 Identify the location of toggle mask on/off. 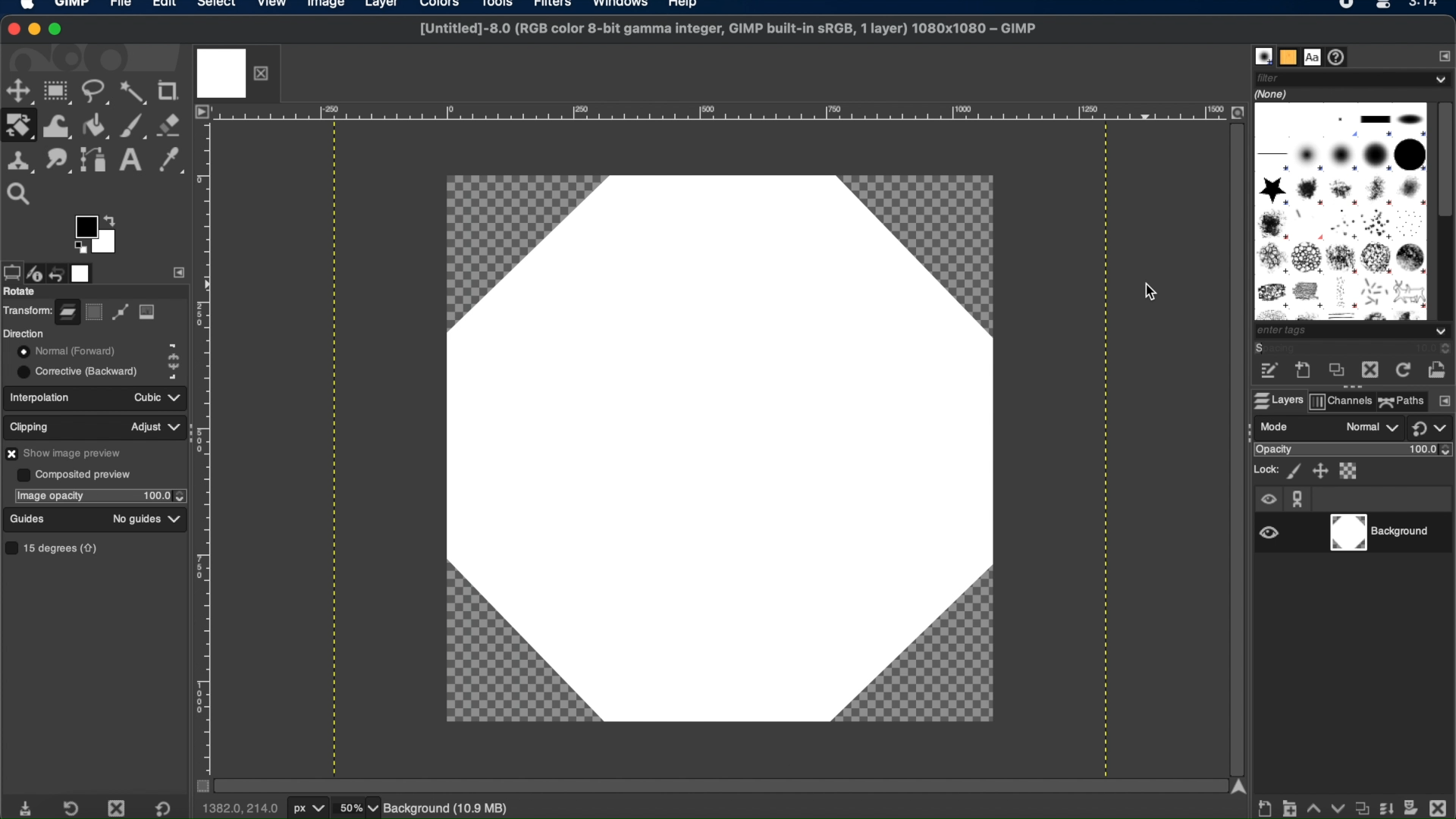
(198, 786).